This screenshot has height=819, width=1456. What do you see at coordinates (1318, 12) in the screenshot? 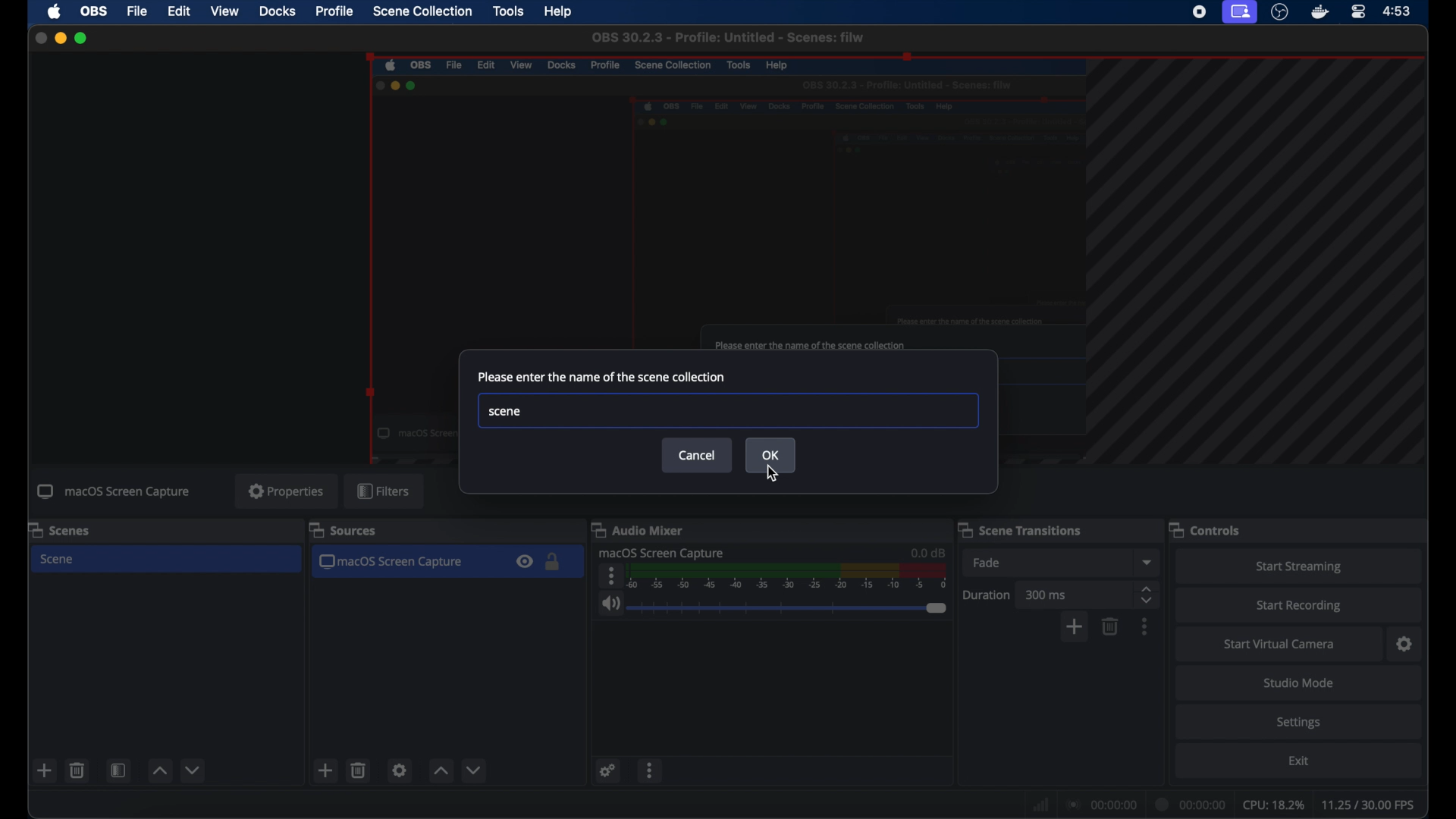
I see `docker` at bounding box center [1318, 12].